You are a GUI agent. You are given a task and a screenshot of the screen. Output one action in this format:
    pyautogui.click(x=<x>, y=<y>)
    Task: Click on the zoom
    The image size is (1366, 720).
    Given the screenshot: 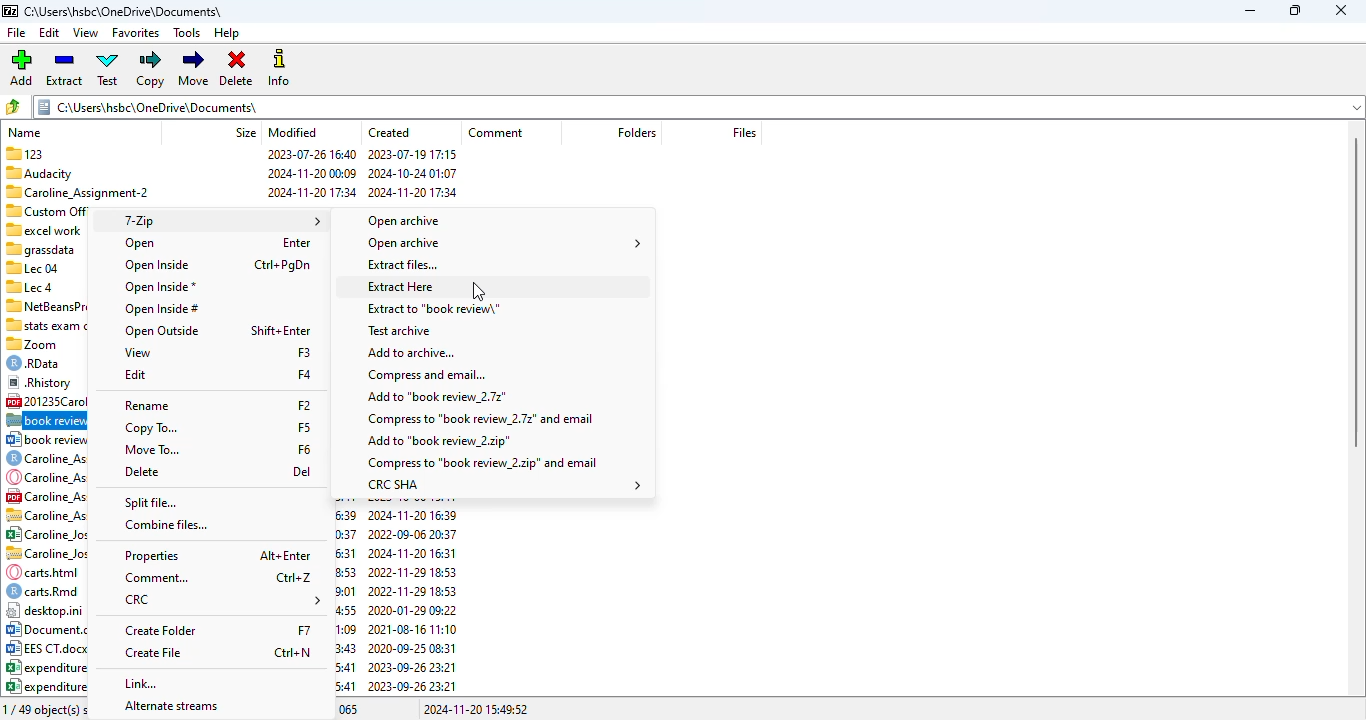 What is the action you would take?
    pyautogui.click(x=36, y=343)
    